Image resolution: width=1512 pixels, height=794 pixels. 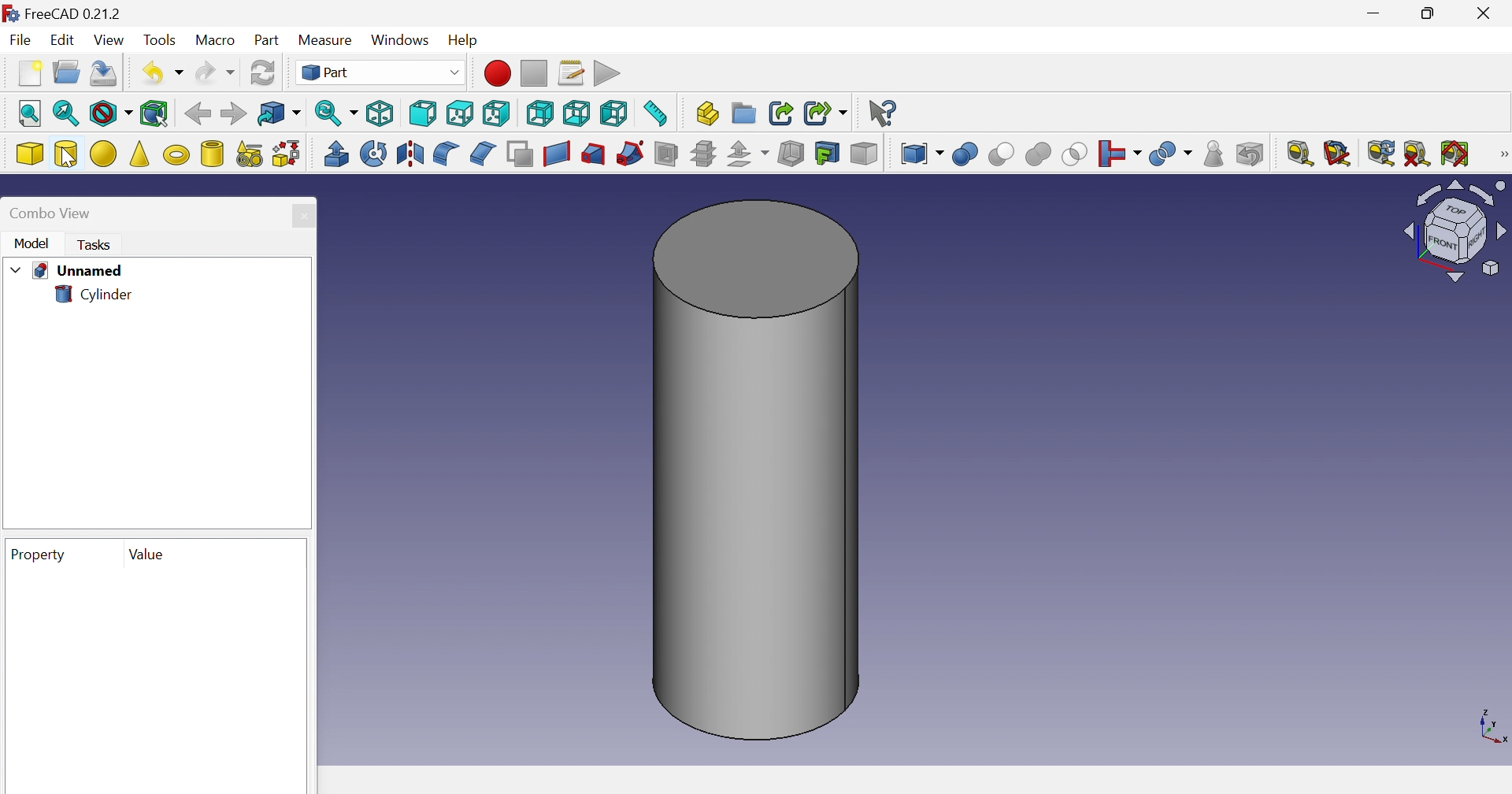 I want to click on Model, so click(x=32, y=243).